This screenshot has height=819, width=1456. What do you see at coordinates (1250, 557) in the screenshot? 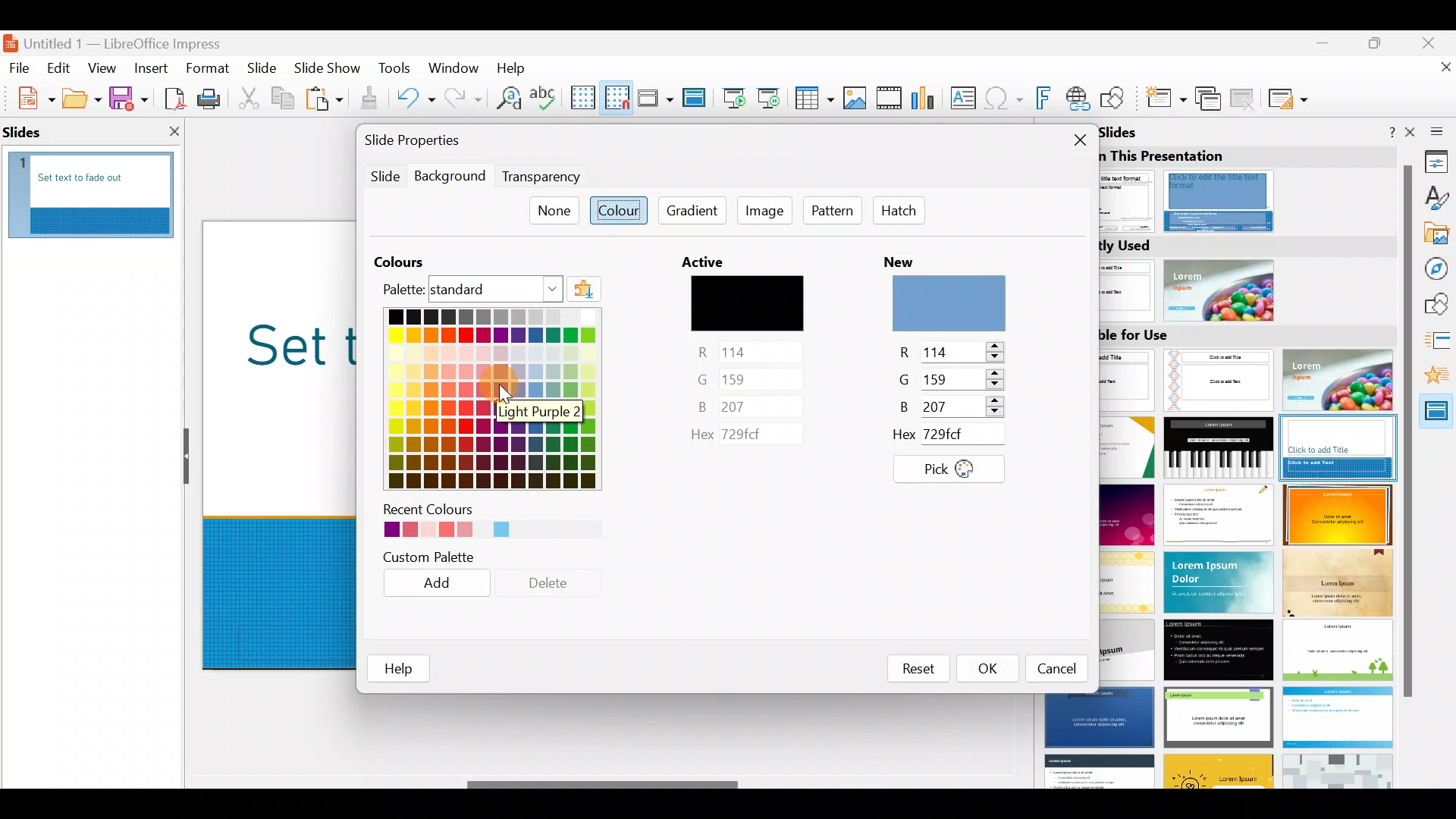
I see `Slides available for use` at bounding box center [1250, 557].